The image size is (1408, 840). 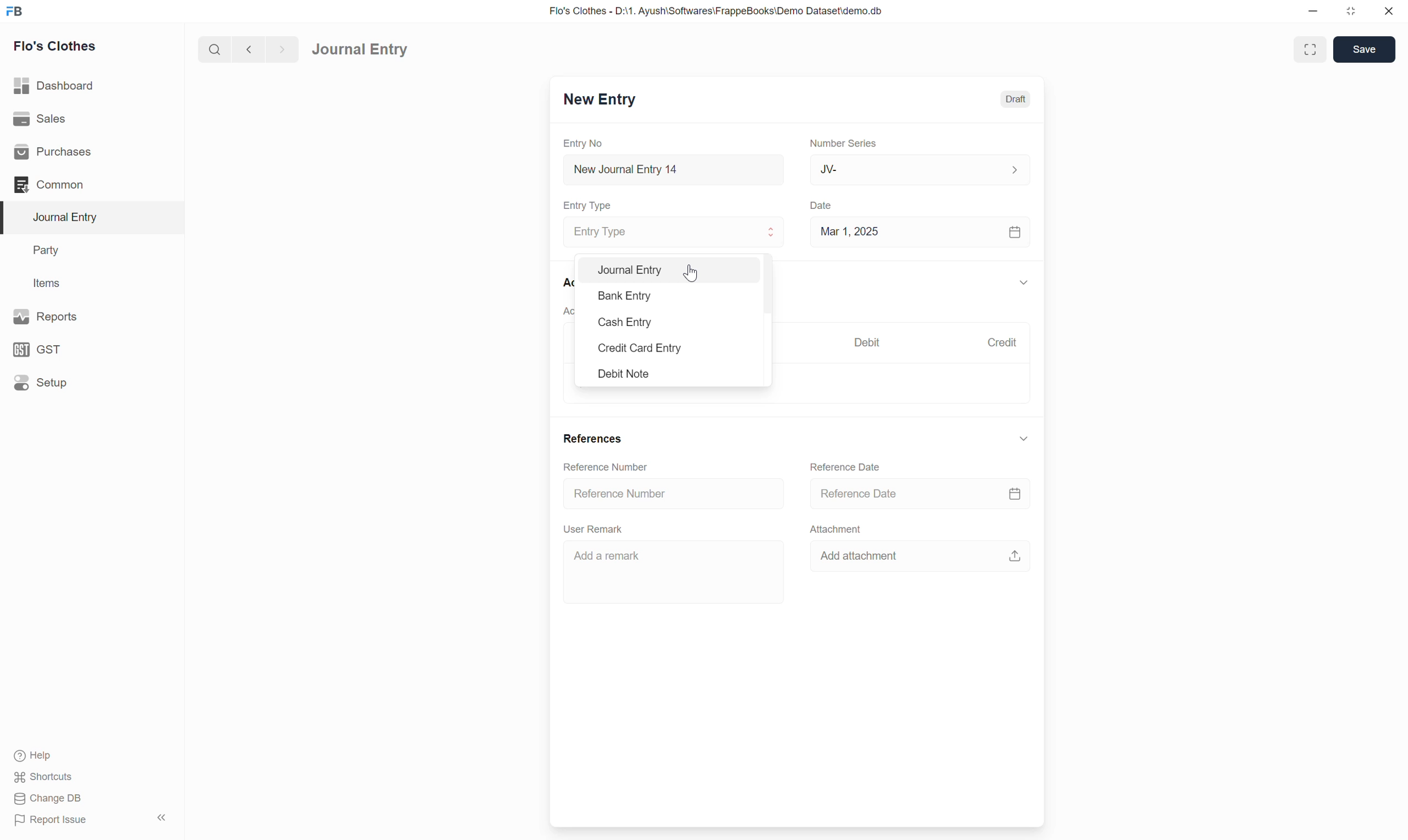 I want to click on resize, so click(x=1349, y=11).